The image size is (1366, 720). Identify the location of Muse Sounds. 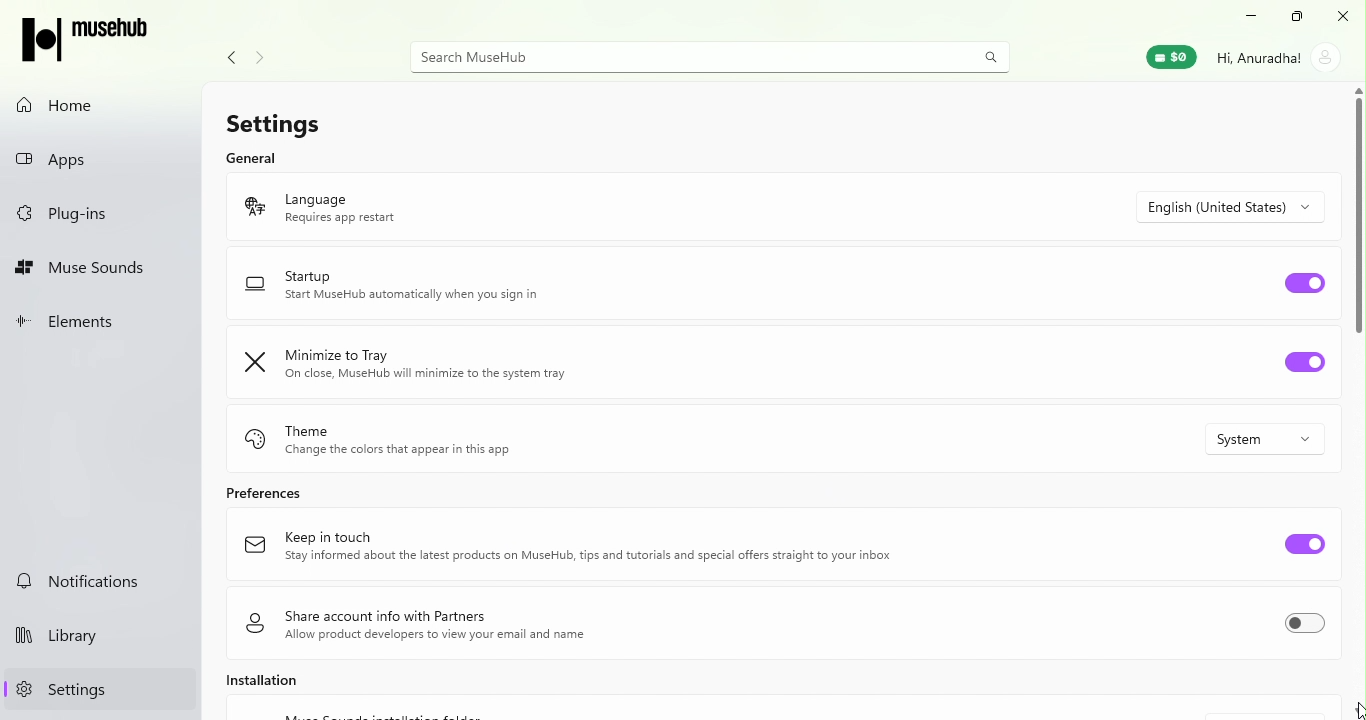
(98, 269).